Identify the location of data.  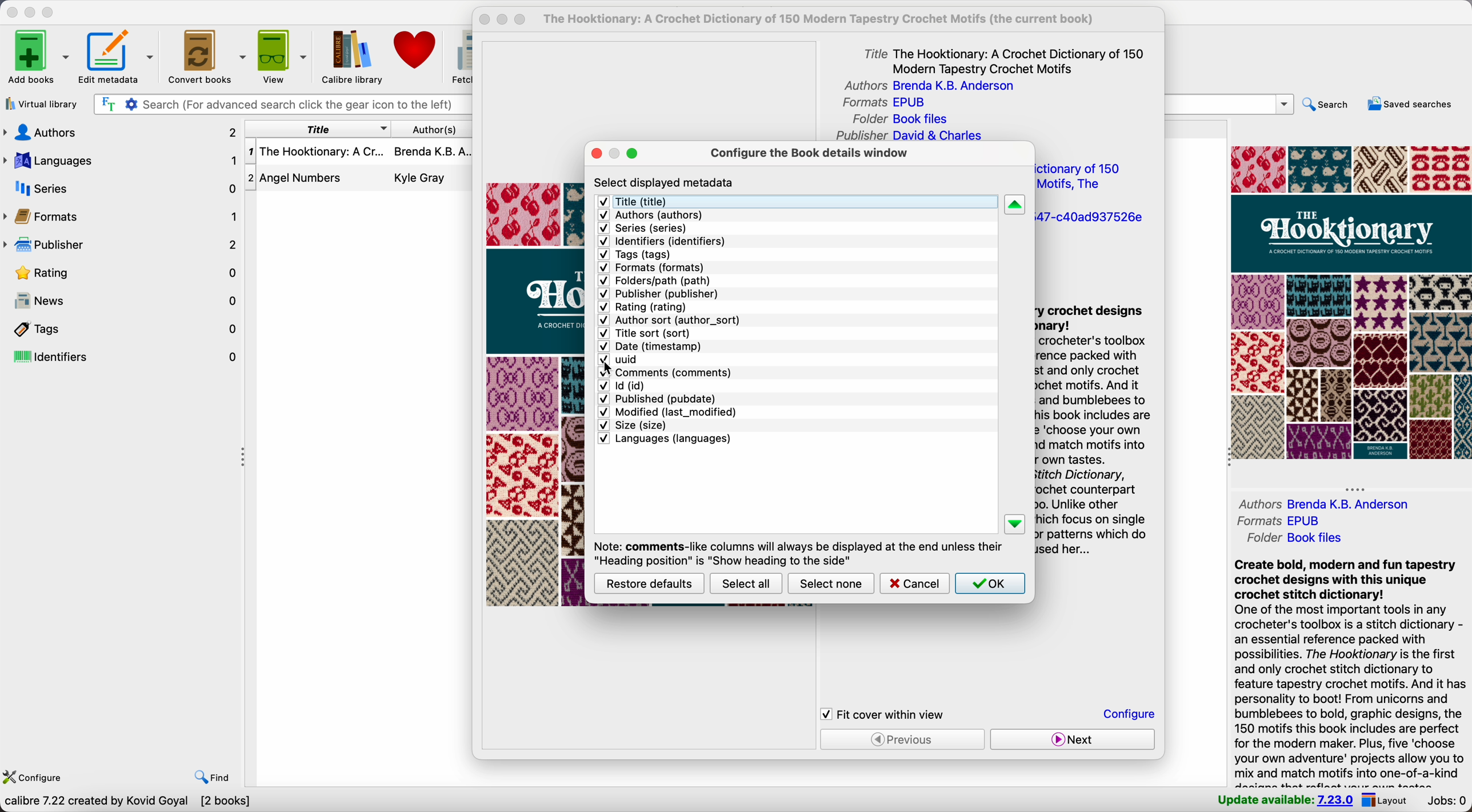
(127, 802).